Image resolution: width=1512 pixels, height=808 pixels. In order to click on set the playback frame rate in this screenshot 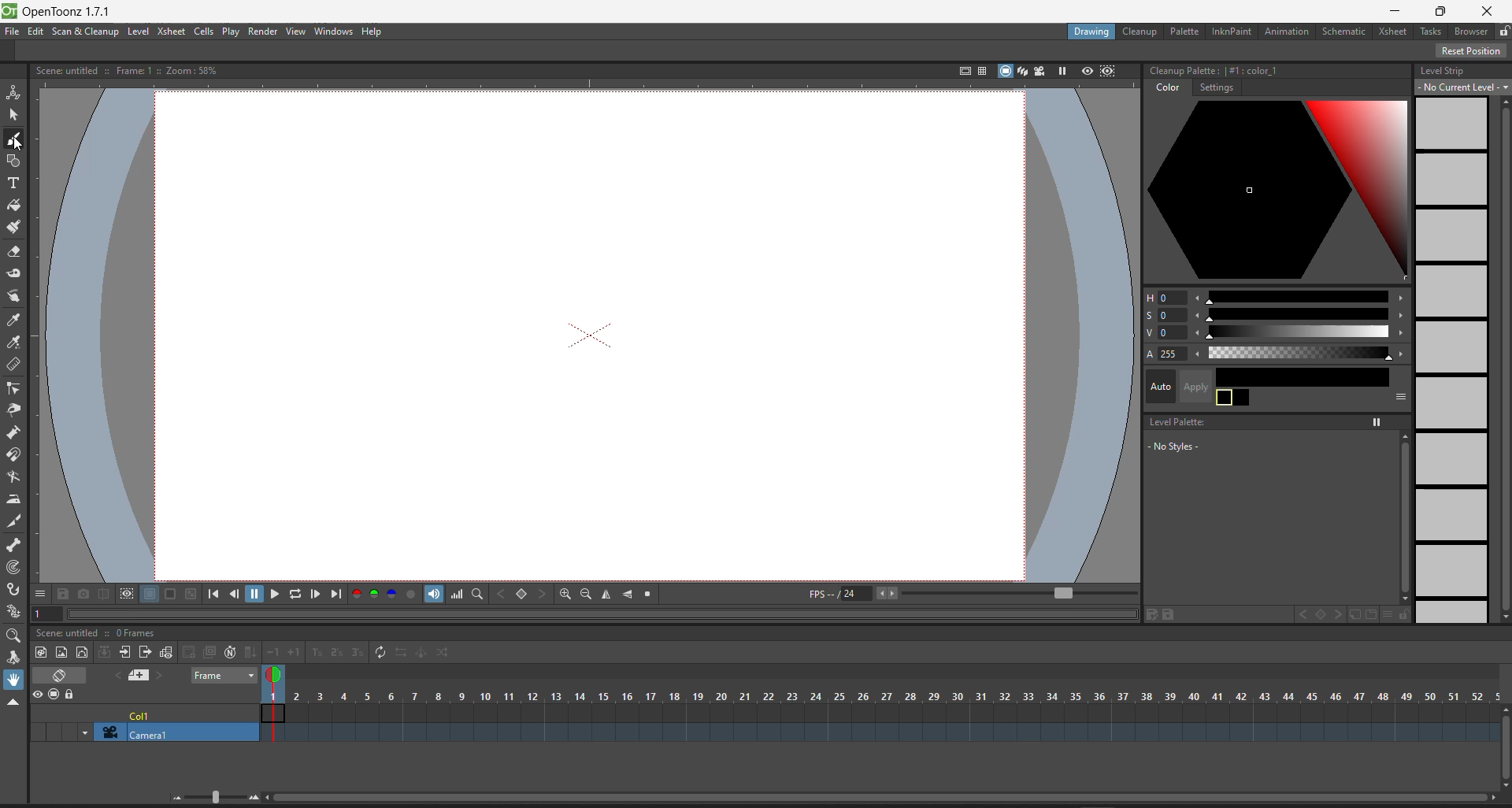, I will do `click(1010, 593)`.